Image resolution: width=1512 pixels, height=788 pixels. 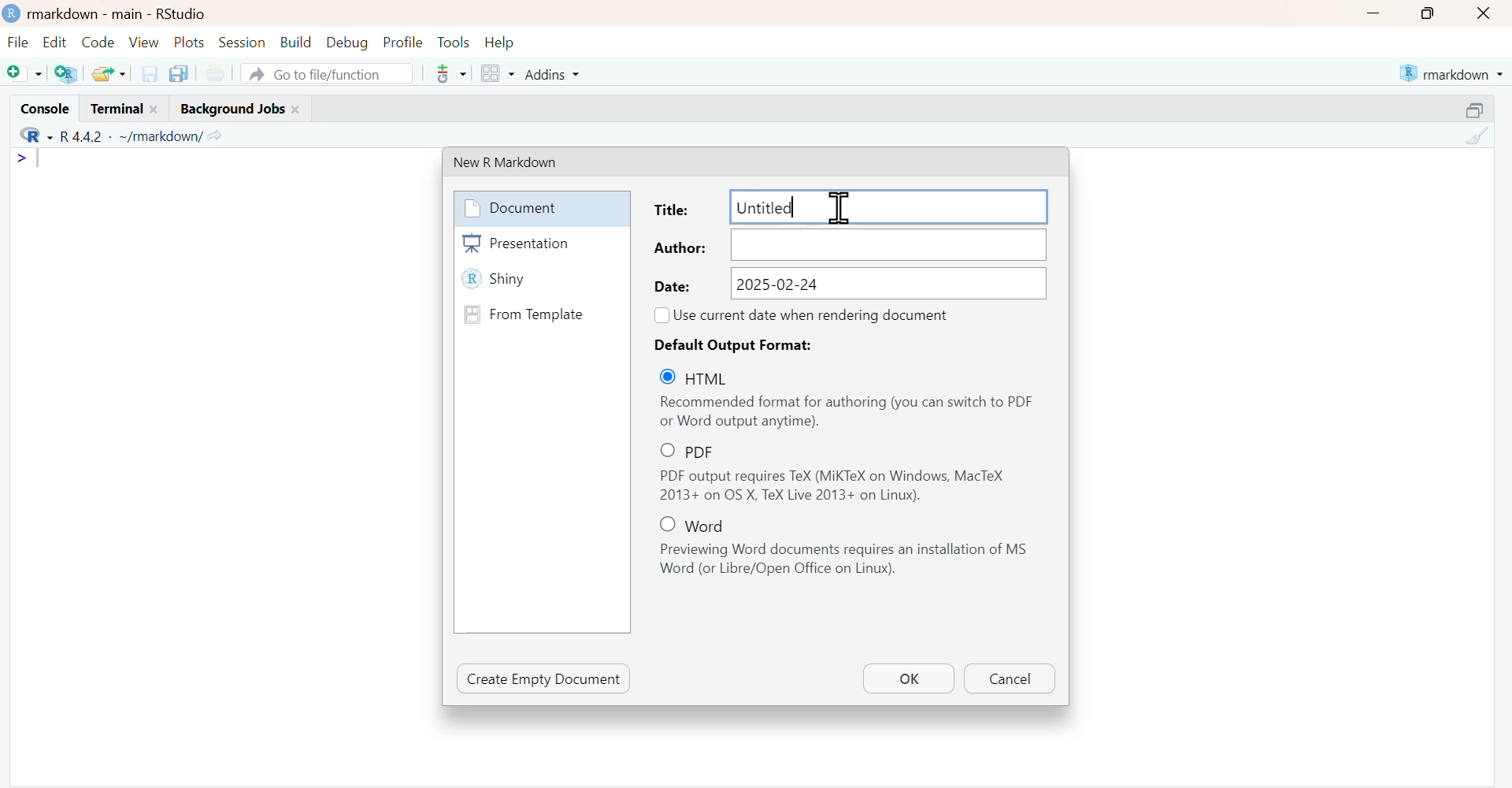 I want to click on Recommended format for authoring (you can switch to PD
or Word output anytime)., so click(x=847, y=412).